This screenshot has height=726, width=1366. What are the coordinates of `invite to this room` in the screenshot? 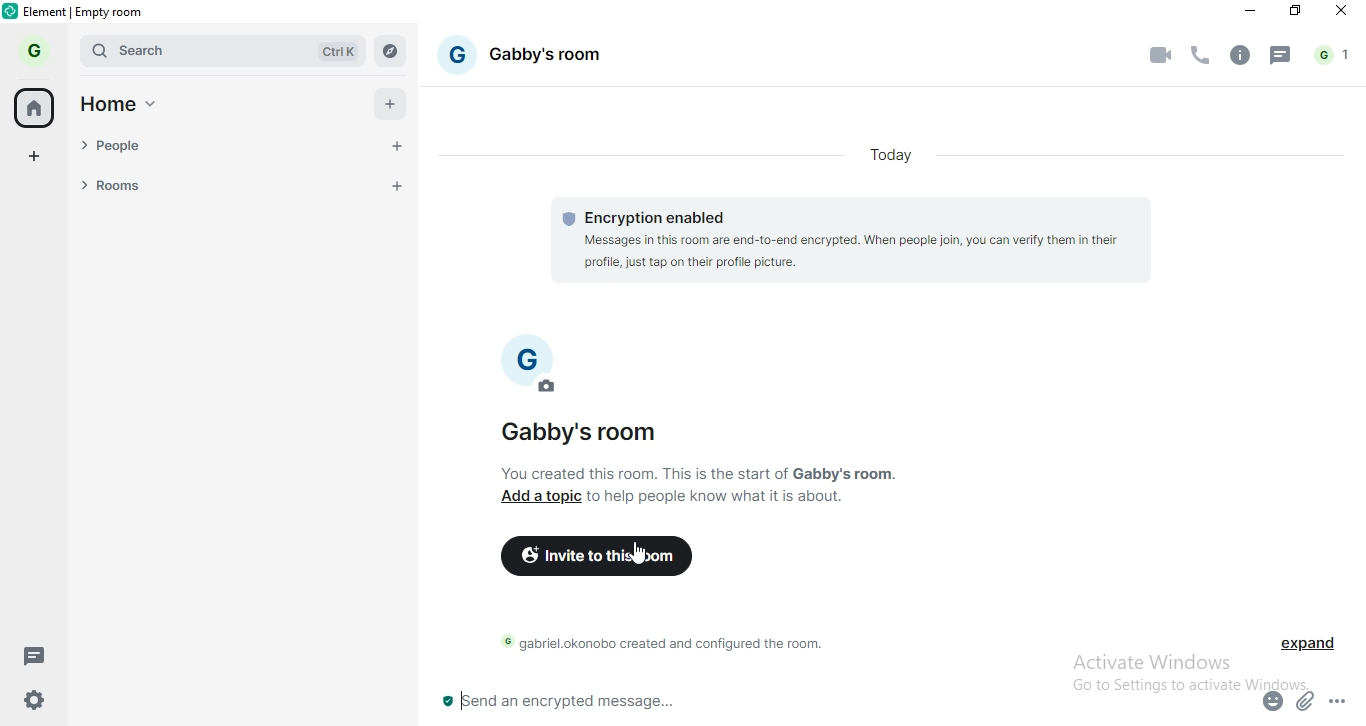 It's located at (553, 562).